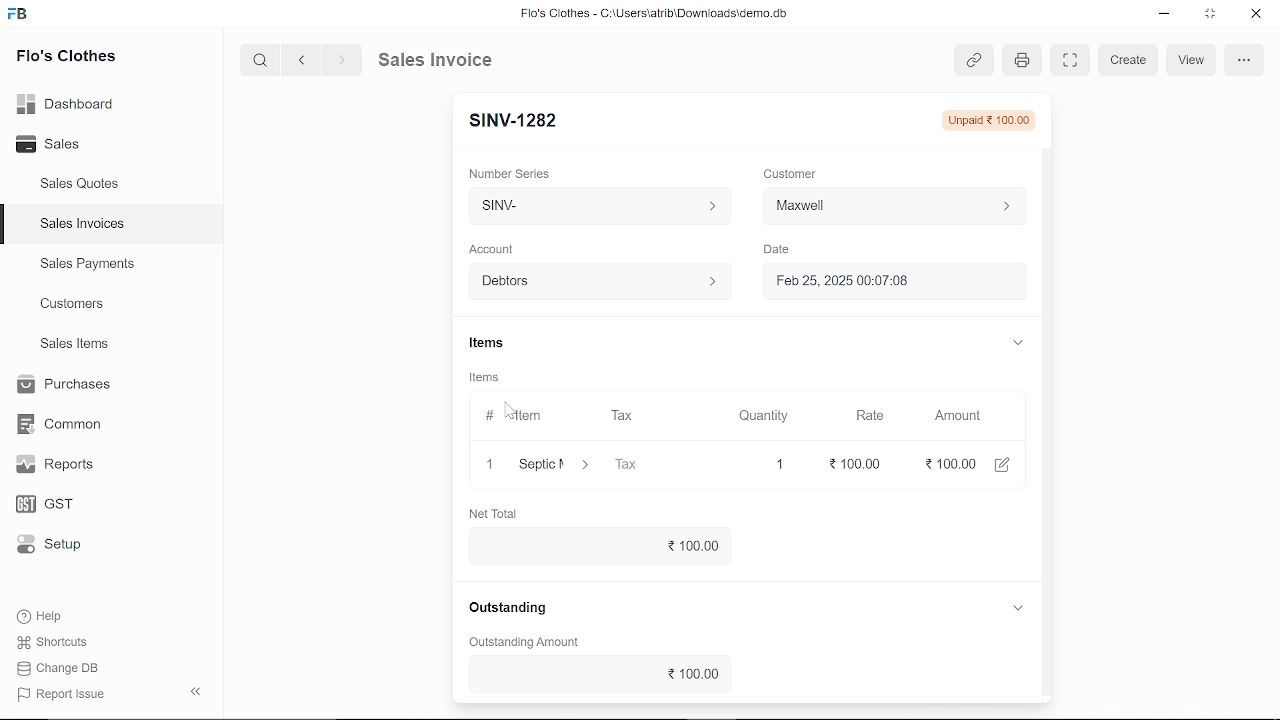 This screenshot has width=1280, height=720. Describe the element at coordinates (1020, 344) in the screenshot. I see `expand` at that location.